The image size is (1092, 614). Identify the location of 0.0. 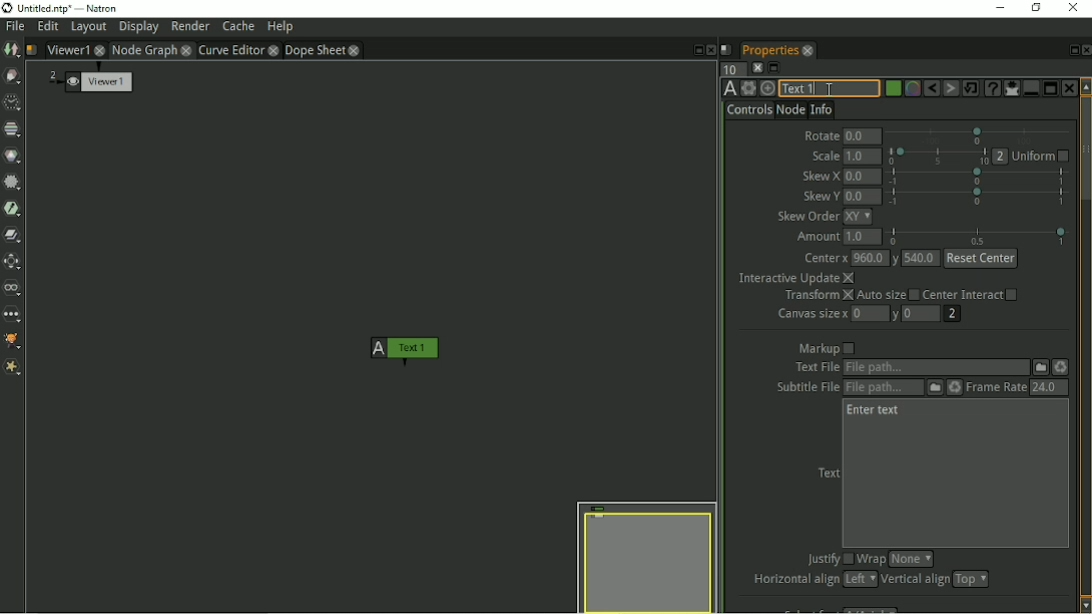
(863, 177).